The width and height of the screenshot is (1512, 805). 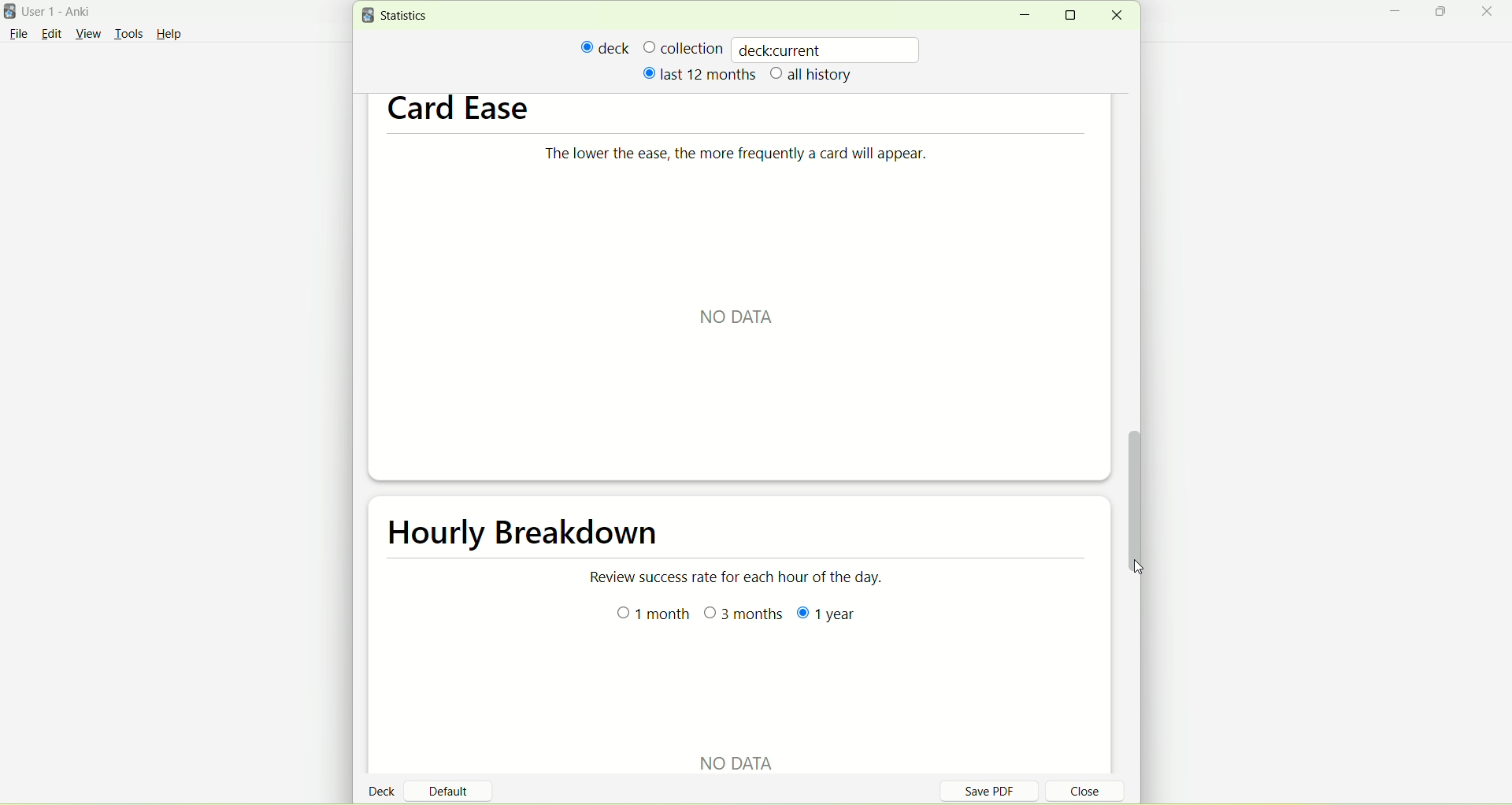 What do you see at coordinates (384, 790) in the screenshot?
I see `deck` at bounding box center [384, 790].